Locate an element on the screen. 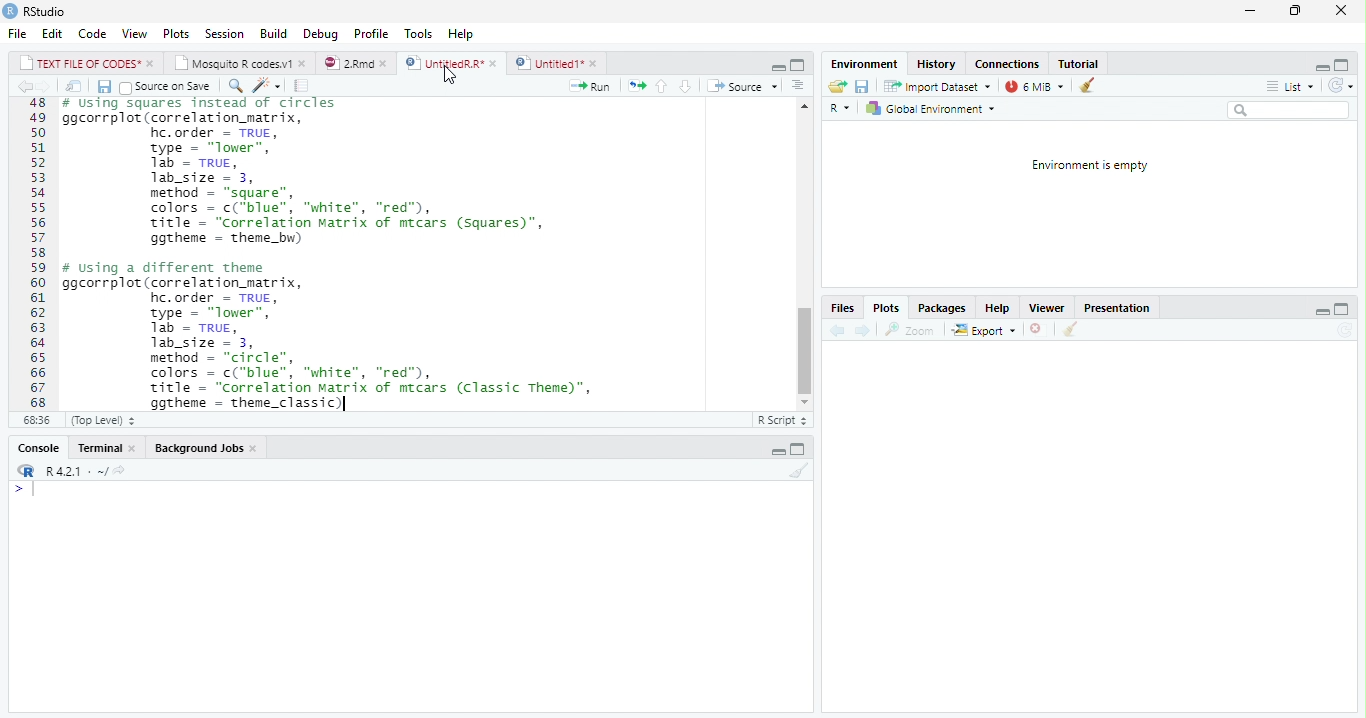 The height and width of the screenshot is (718, 1366). File is located at coordinates (15, 35).